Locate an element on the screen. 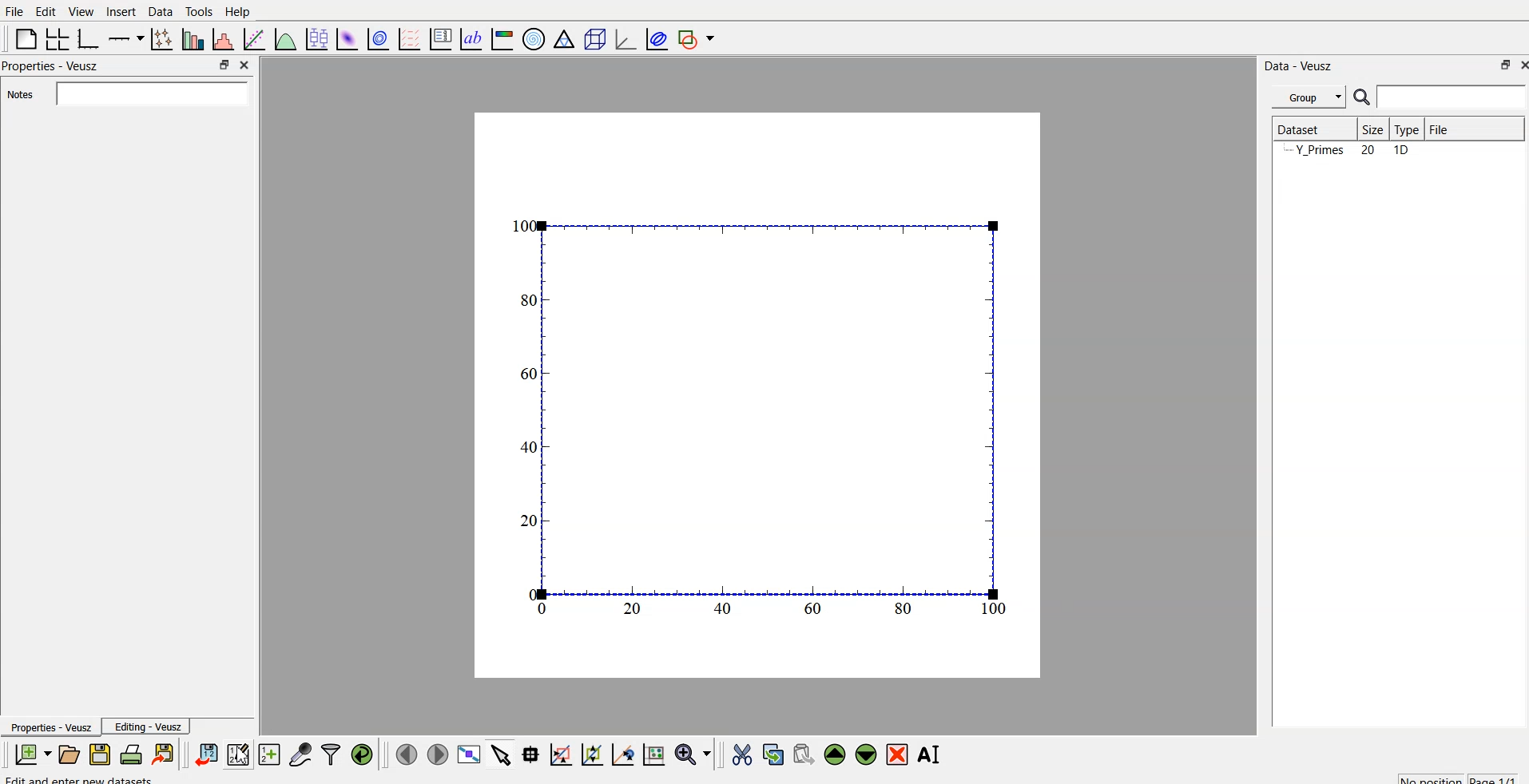 This screenshot has height=784, width=1529. plot data is located at coordinates (378, 38).